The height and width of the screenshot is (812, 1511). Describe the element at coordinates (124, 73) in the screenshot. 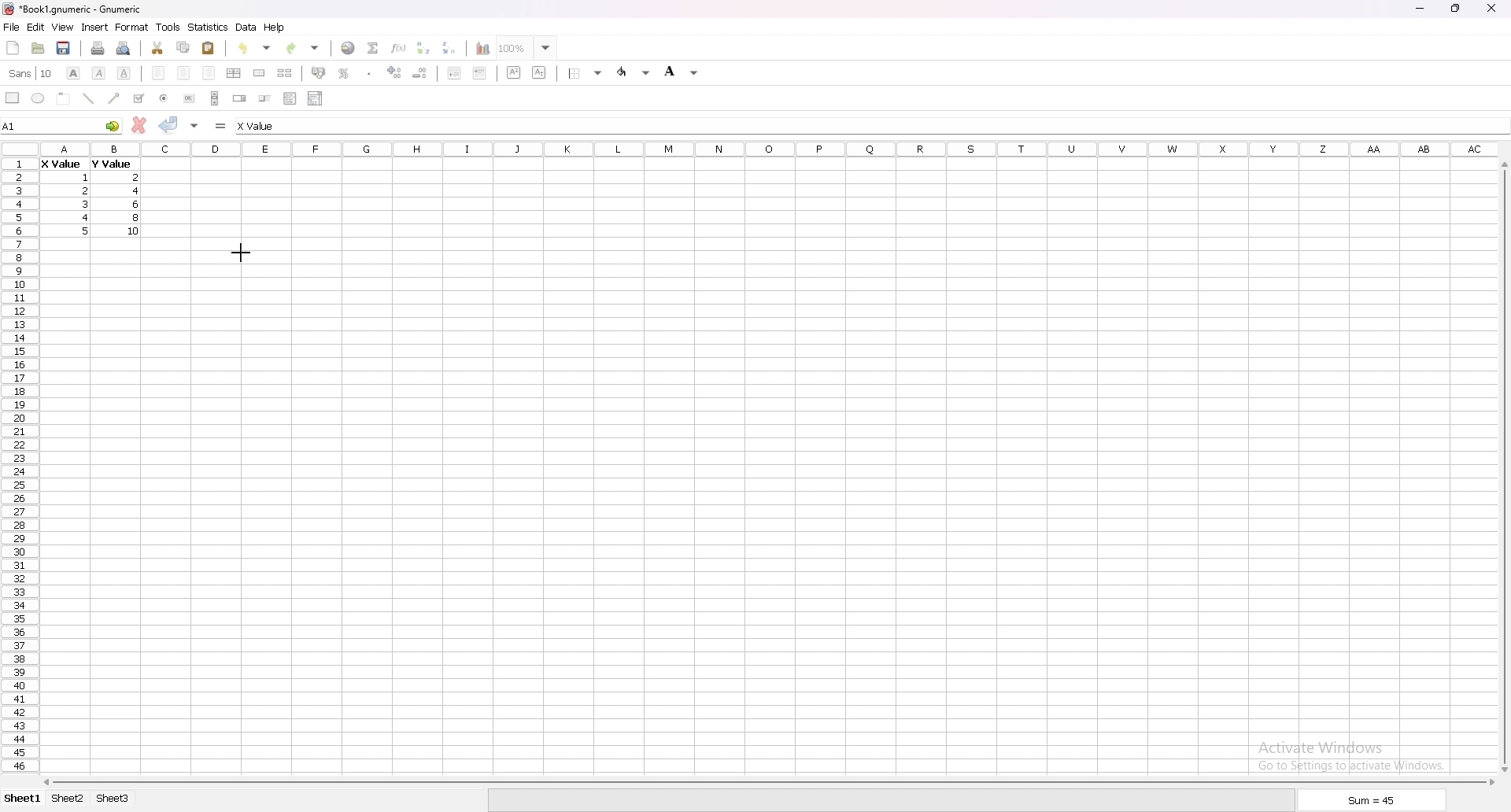

I see `underline` at that location.